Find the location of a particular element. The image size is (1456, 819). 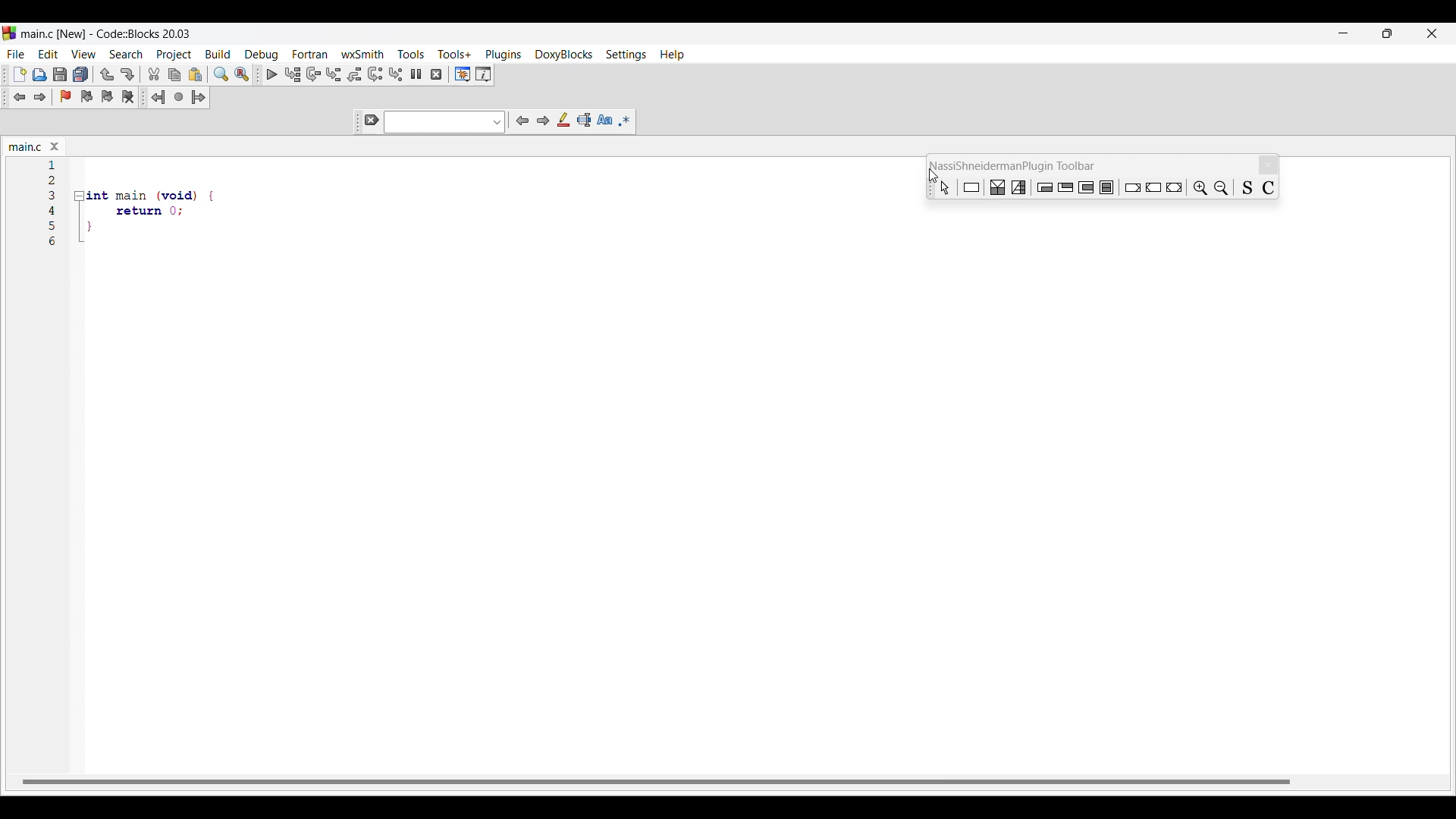

Redo is located at coordinates (127, 74).